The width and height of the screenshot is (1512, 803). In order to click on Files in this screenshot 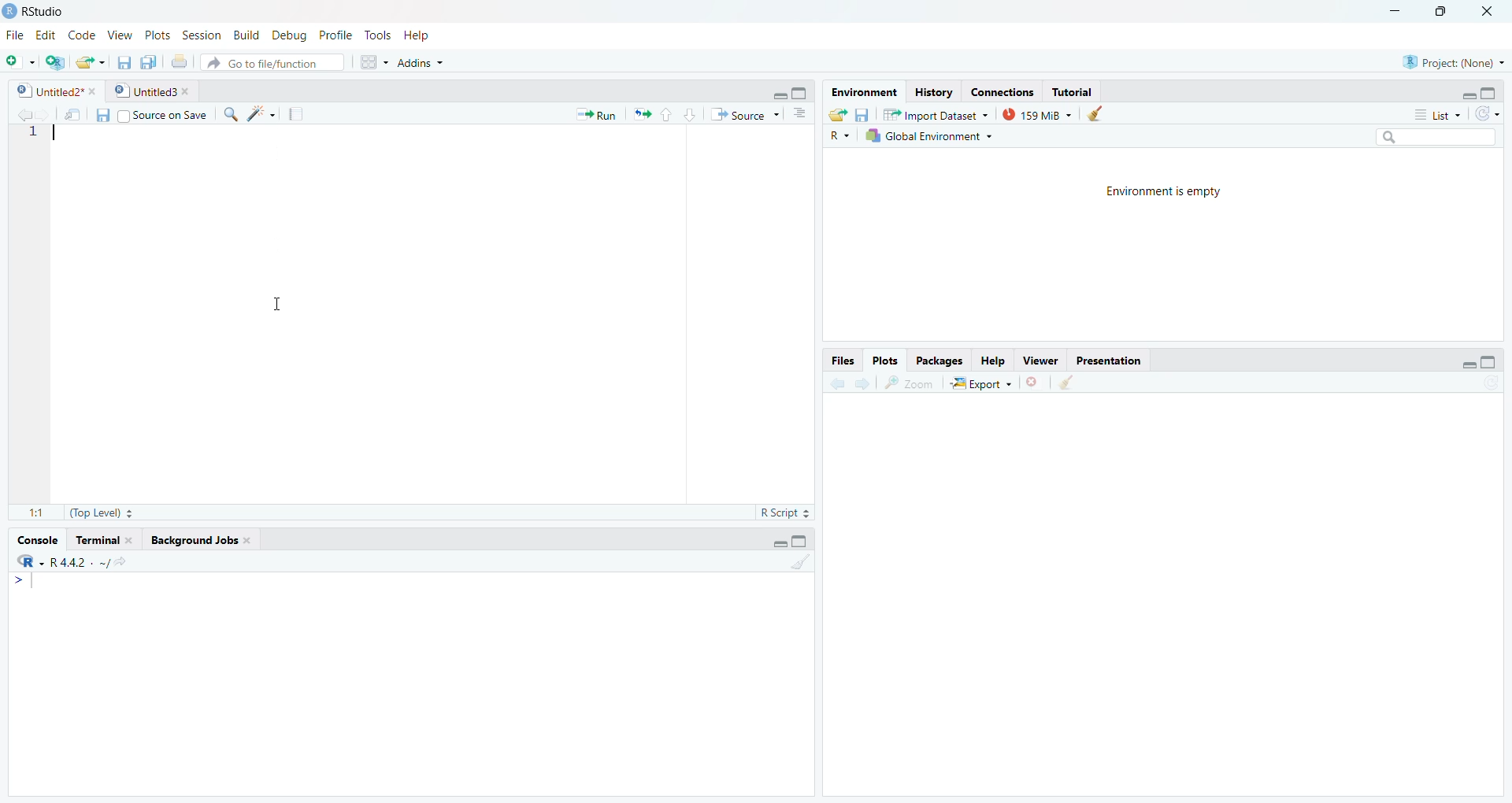, I will do `click(843, 361)`.